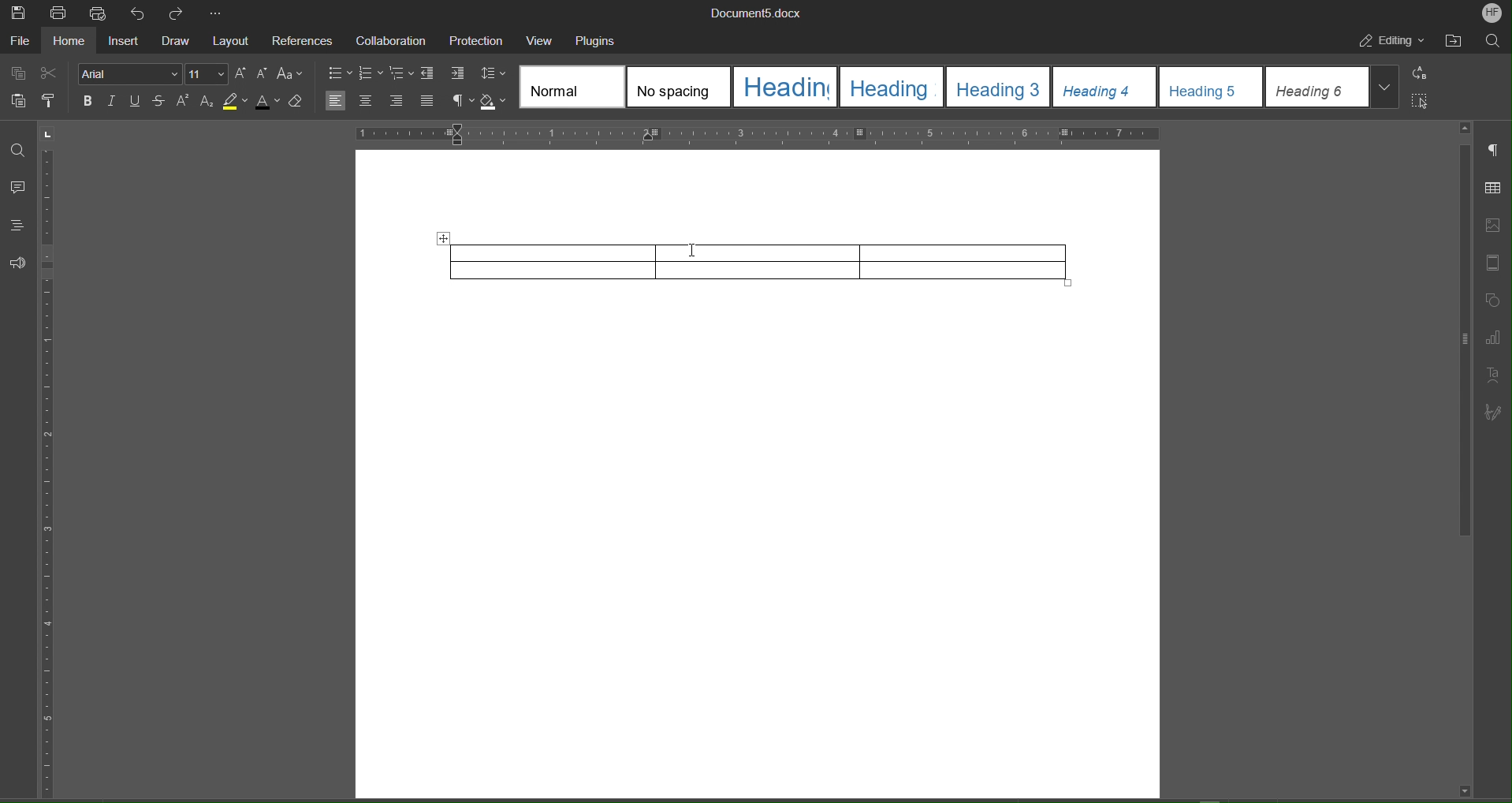  What do you see at coordinates (786, 87) in the screenshot?
I see `heading 1` at bounding box center [786, 87].